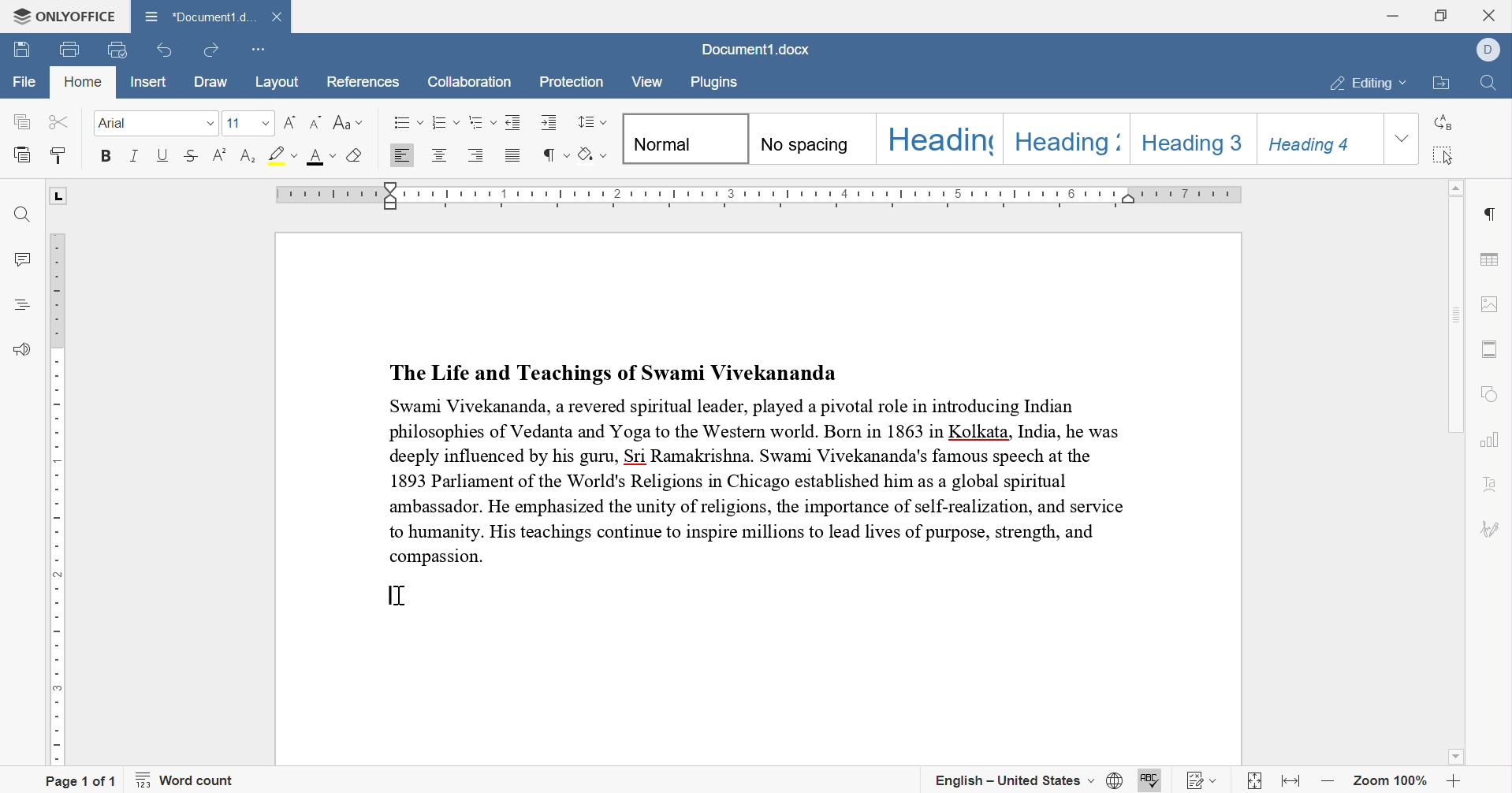  Describe the element at coordinates (266, 125) in the screenshot. I see `drop down` at that location.